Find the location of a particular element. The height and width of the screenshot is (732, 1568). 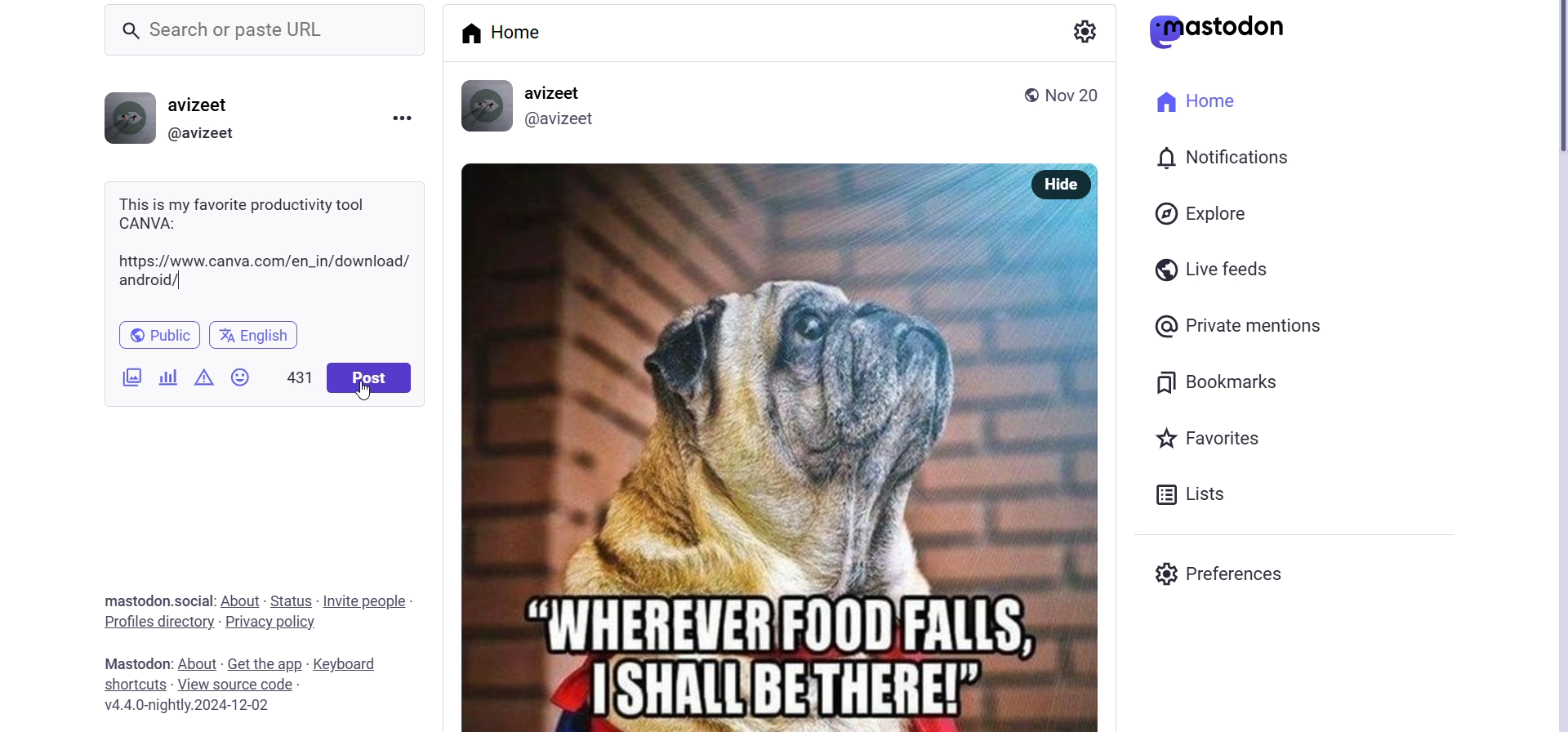

profile picture is located at coordinates (484, 105).